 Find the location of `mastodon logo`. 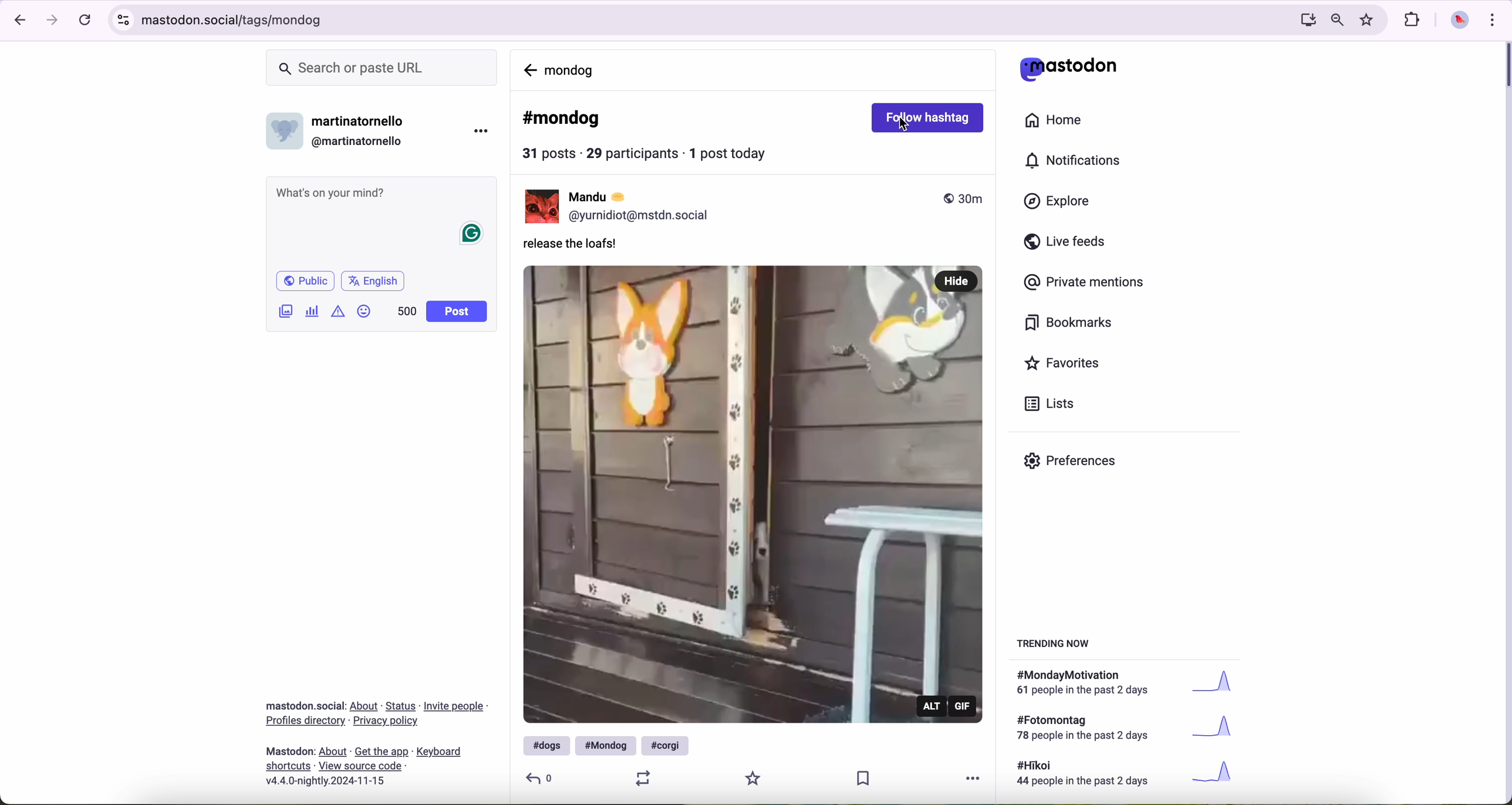

mastodon logo is located at coordinates (1068, 68).